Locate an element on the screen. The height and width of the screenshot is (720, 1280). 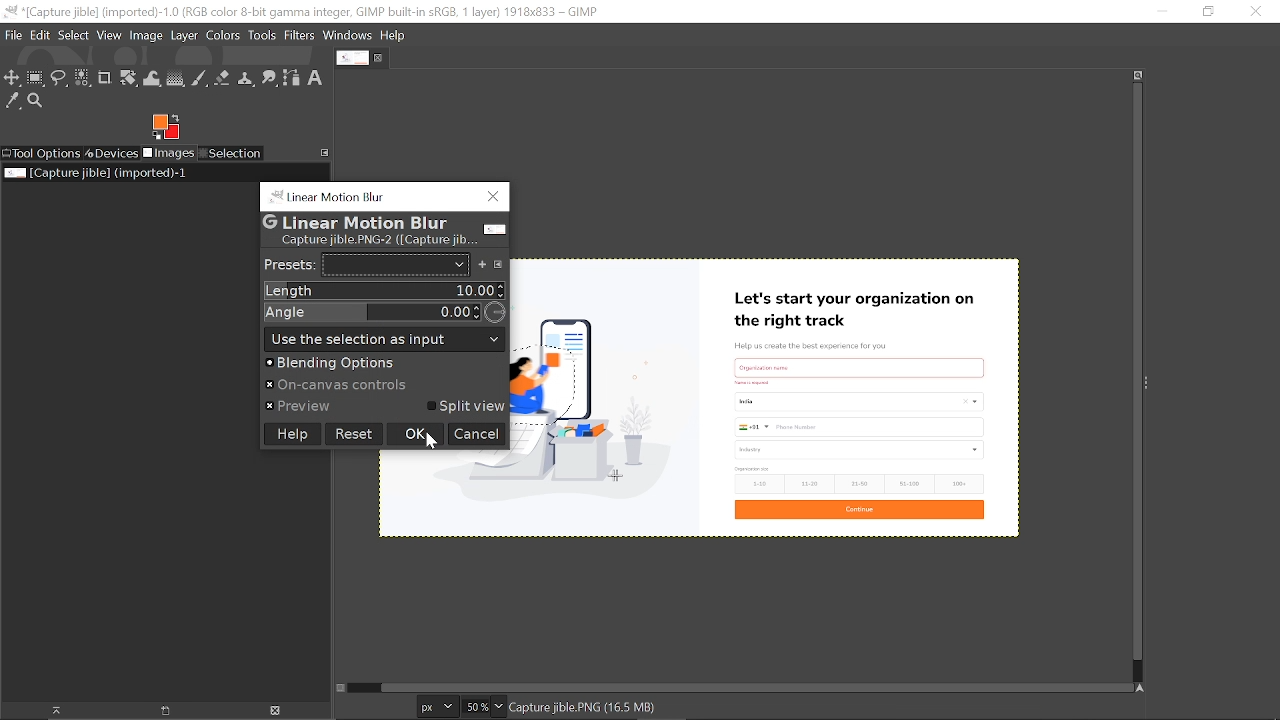
Move tool is located at coordinates (12, 77).